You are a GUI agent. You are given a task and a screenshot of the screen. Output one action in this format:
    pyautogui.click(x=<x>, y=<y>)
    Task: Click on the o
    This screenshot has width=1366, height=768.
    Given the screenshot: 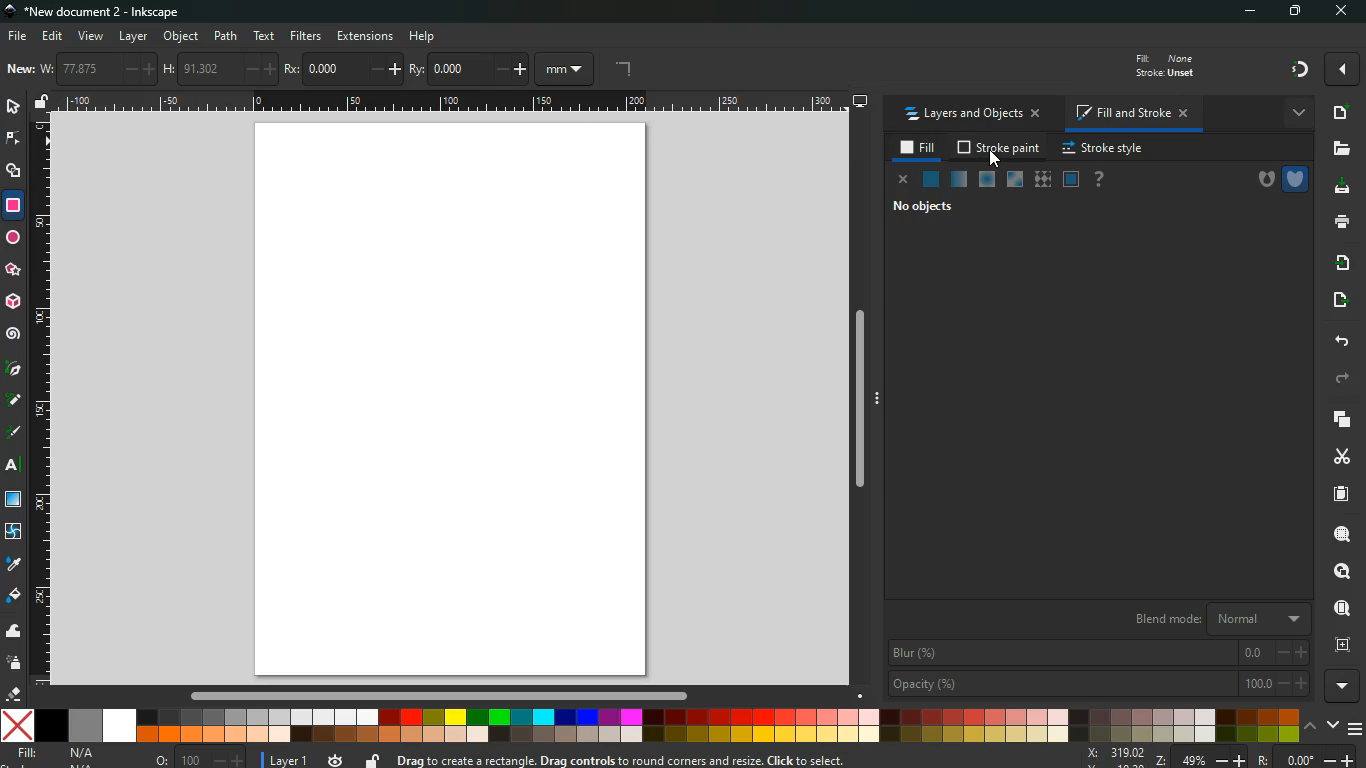 What is the action you would take?
    pyautogui.click(x=195, y=758)
    